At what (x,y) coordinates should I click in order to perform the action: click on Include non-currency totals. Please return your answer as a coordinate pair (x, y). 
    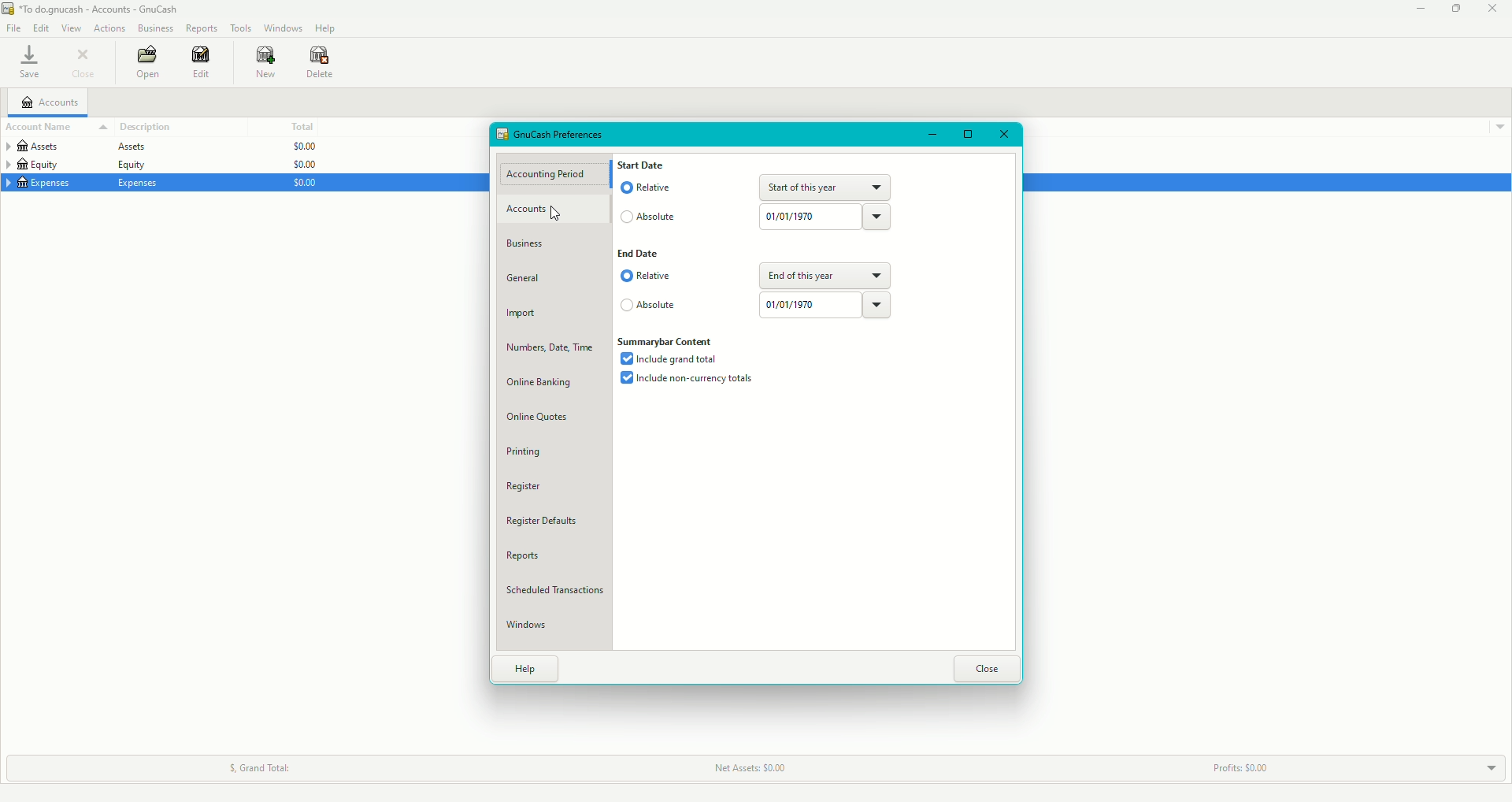
    Looking at the image, I should click on (691, 381).